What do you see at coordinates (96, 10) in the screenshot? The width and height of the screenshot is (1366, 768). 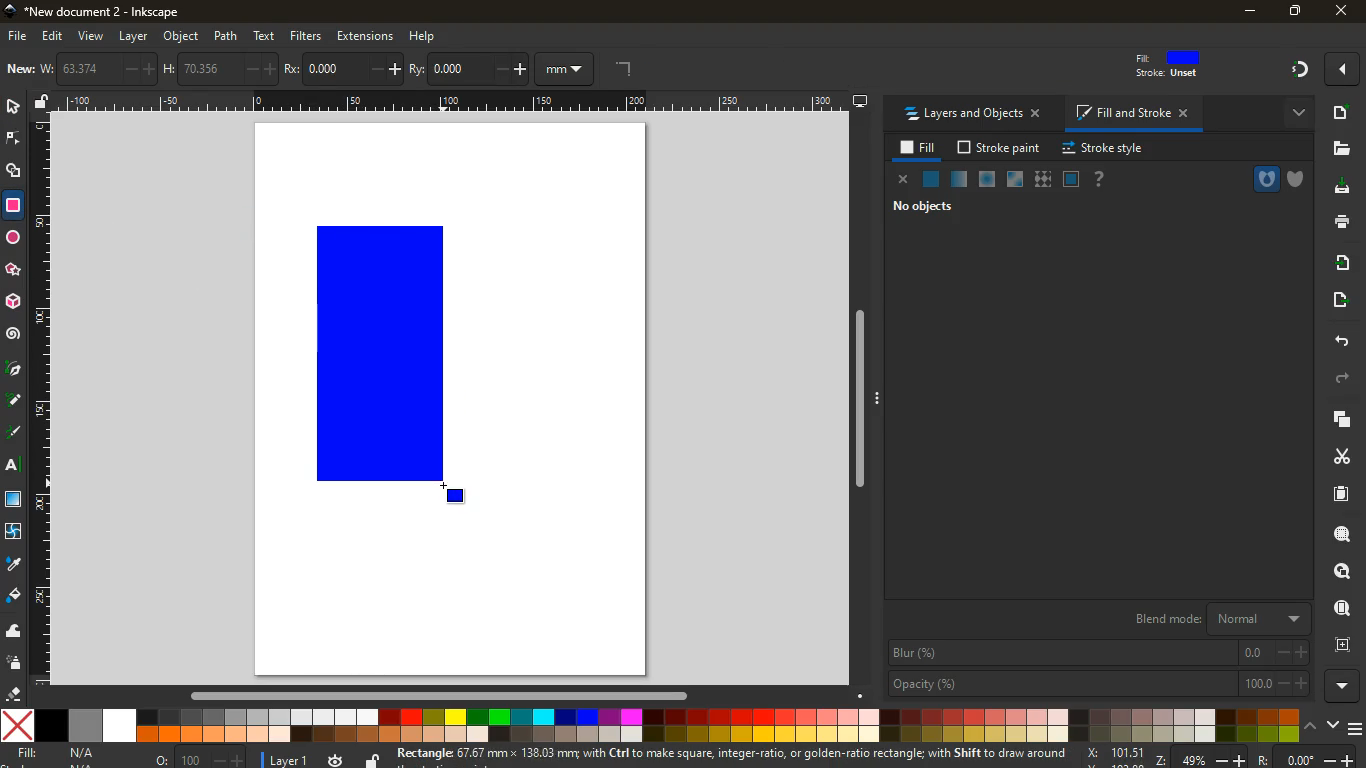 I see `inkscape` at bounding box center [96, 10].